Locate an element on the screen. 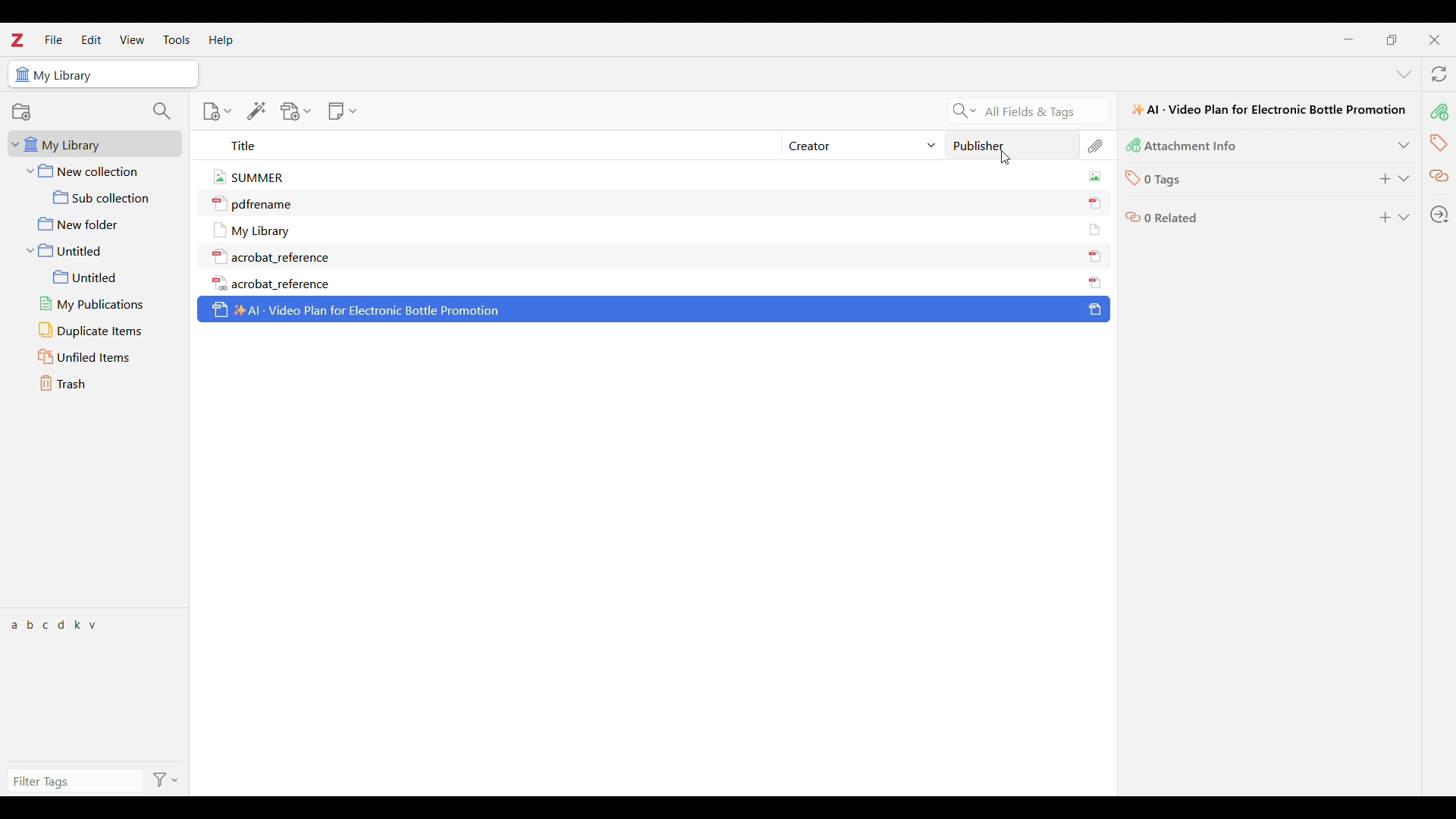 Image resolution: width=1456 pixels, height=819 pixels. icon is located at coordinates (1096, 177).